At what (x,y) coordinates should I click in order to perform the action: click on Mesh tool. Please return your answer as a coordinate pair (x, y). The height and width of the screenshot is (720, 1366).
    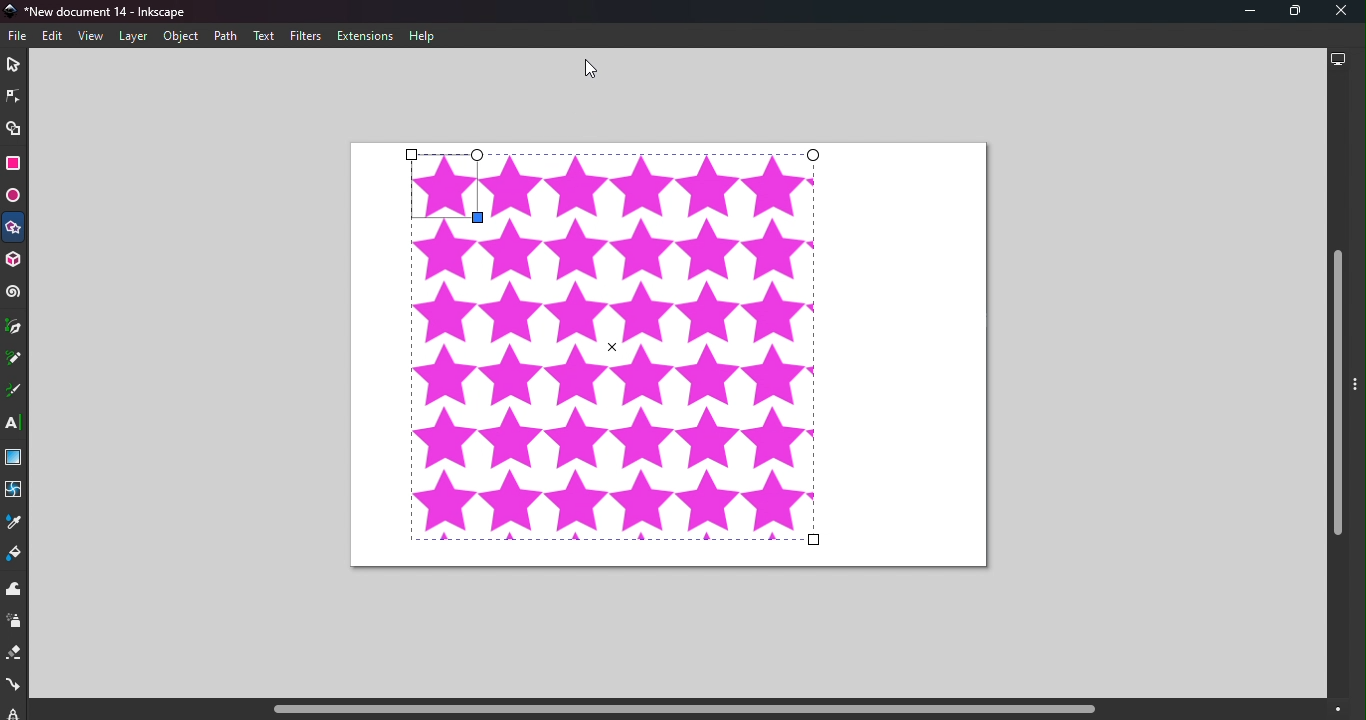
    Looking at the image, I should click on (16, 495).